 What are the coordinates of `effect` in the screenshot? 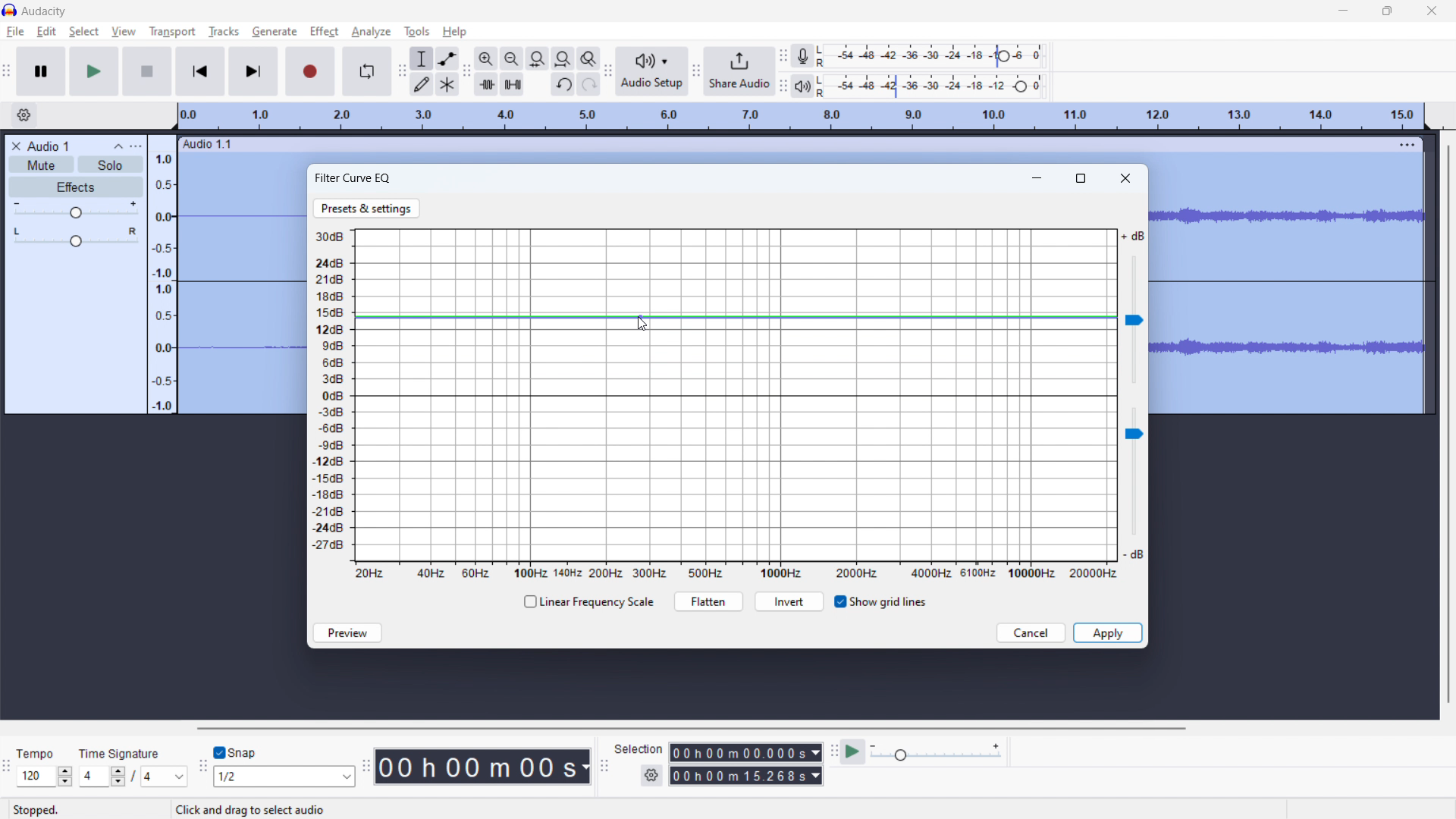 It's located at (324, 32).